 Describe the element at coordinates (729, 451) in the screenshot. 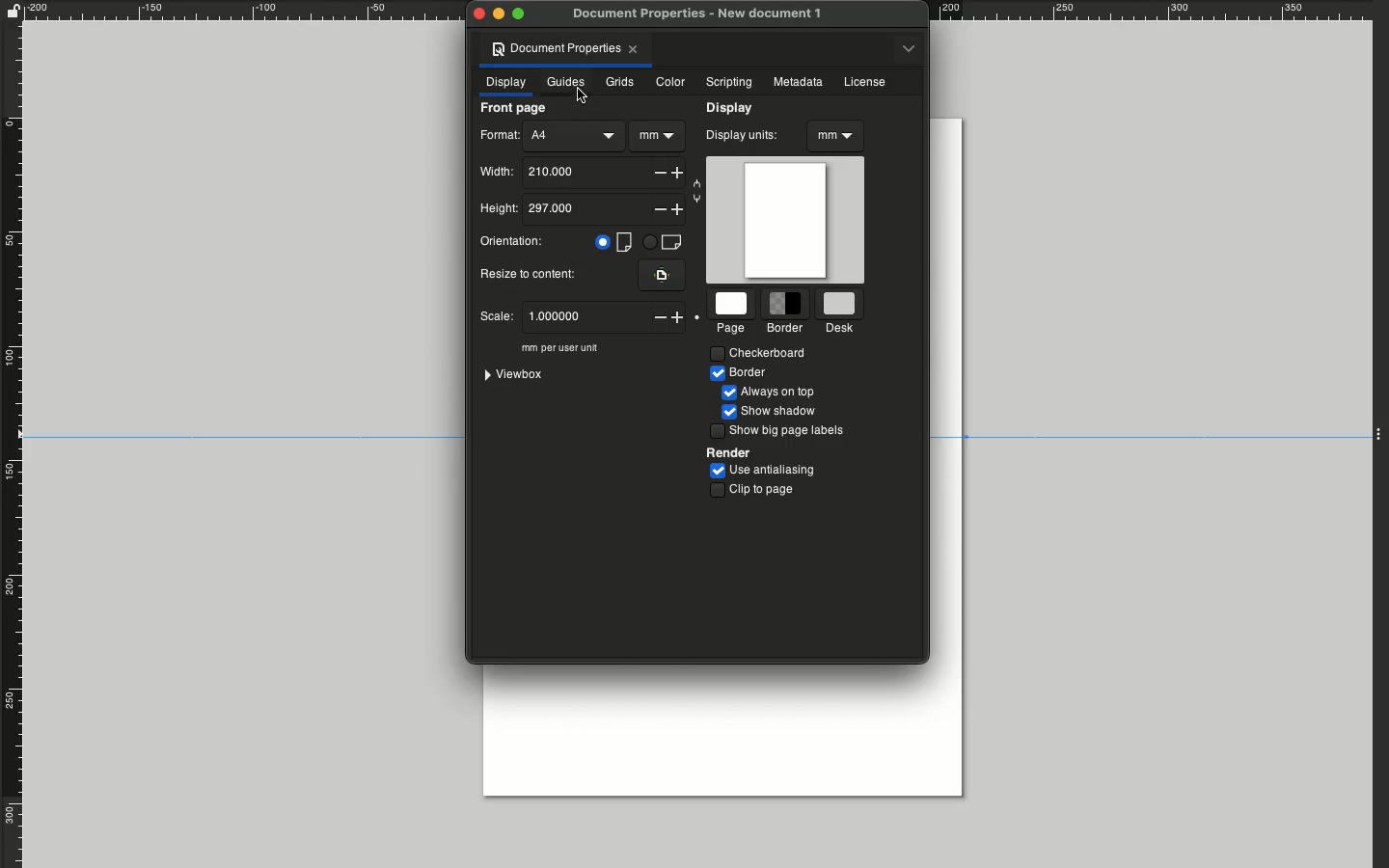

I see `Render` at that location.